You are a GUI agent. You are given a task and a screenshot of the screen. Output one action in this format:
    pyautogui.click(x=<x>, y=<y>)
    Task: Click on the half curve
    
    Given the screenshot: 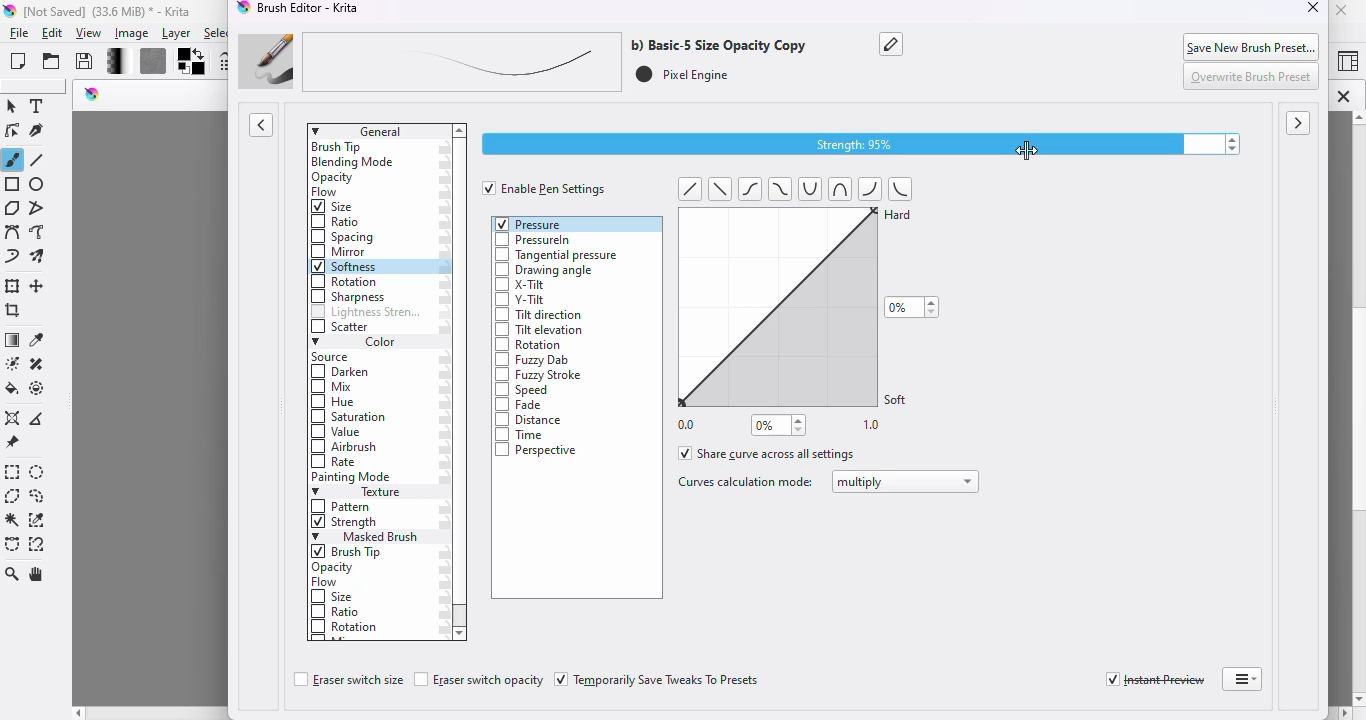 What is the action you would take?
    pyautogui.click(x=903, y=188)
    